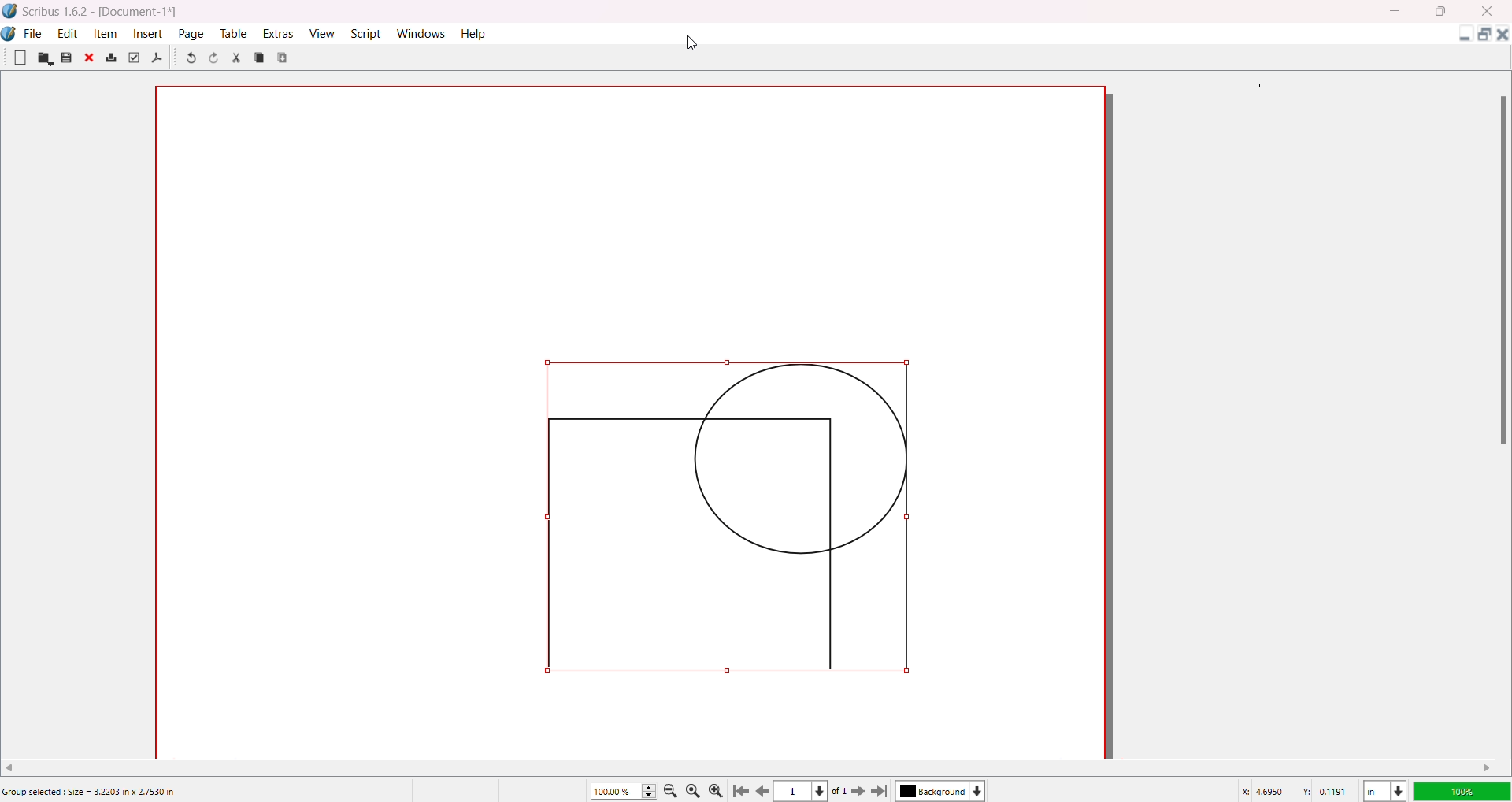  What do you see at coordinates (1503, 37) in the screenshot?
I see `Close Document` at bounding box center [1503, 37].